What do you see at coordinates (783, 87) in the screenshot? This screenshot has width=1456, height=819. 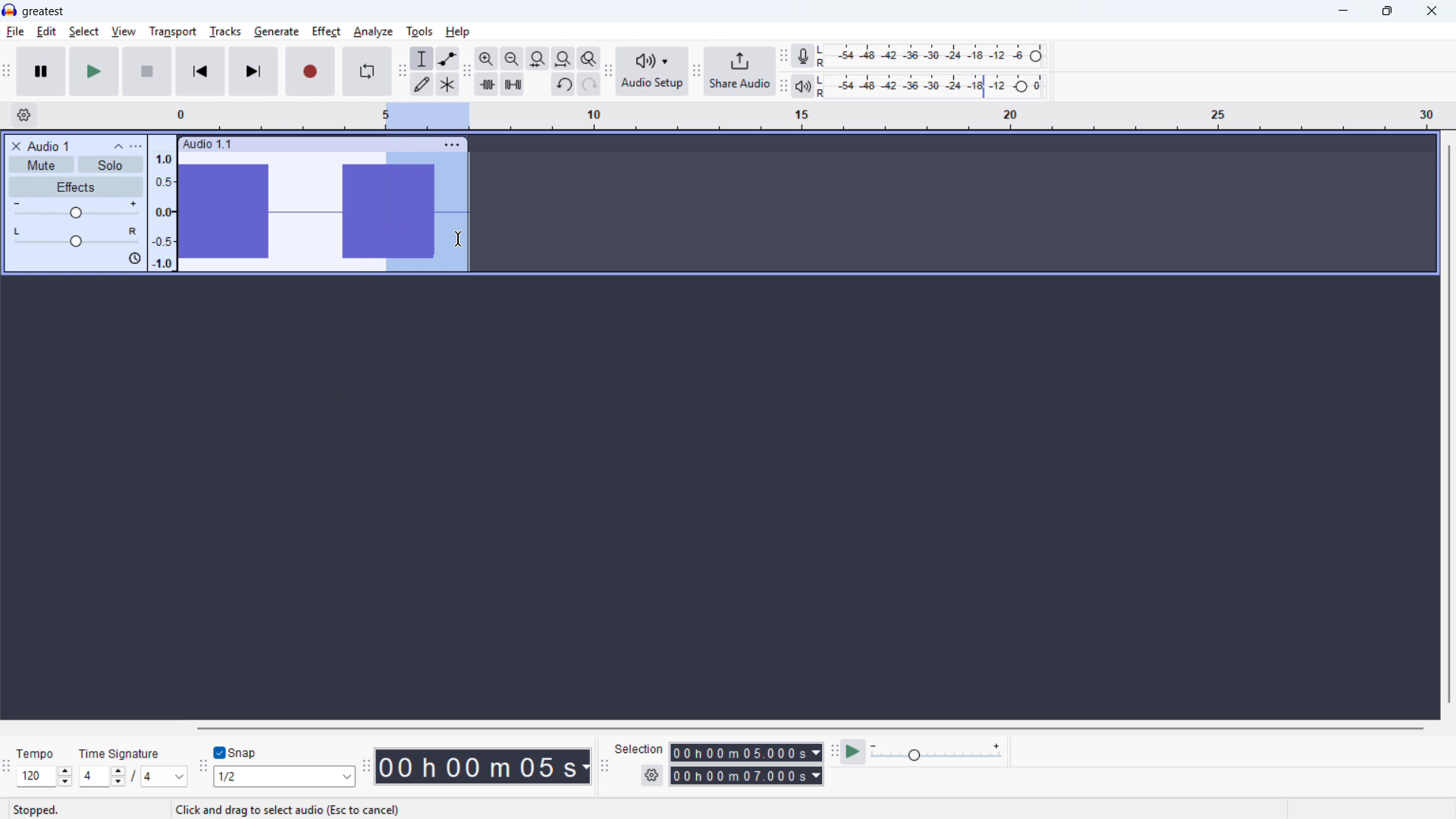 I see `Playback metre toolbar ` at bounding box center [783, 87].